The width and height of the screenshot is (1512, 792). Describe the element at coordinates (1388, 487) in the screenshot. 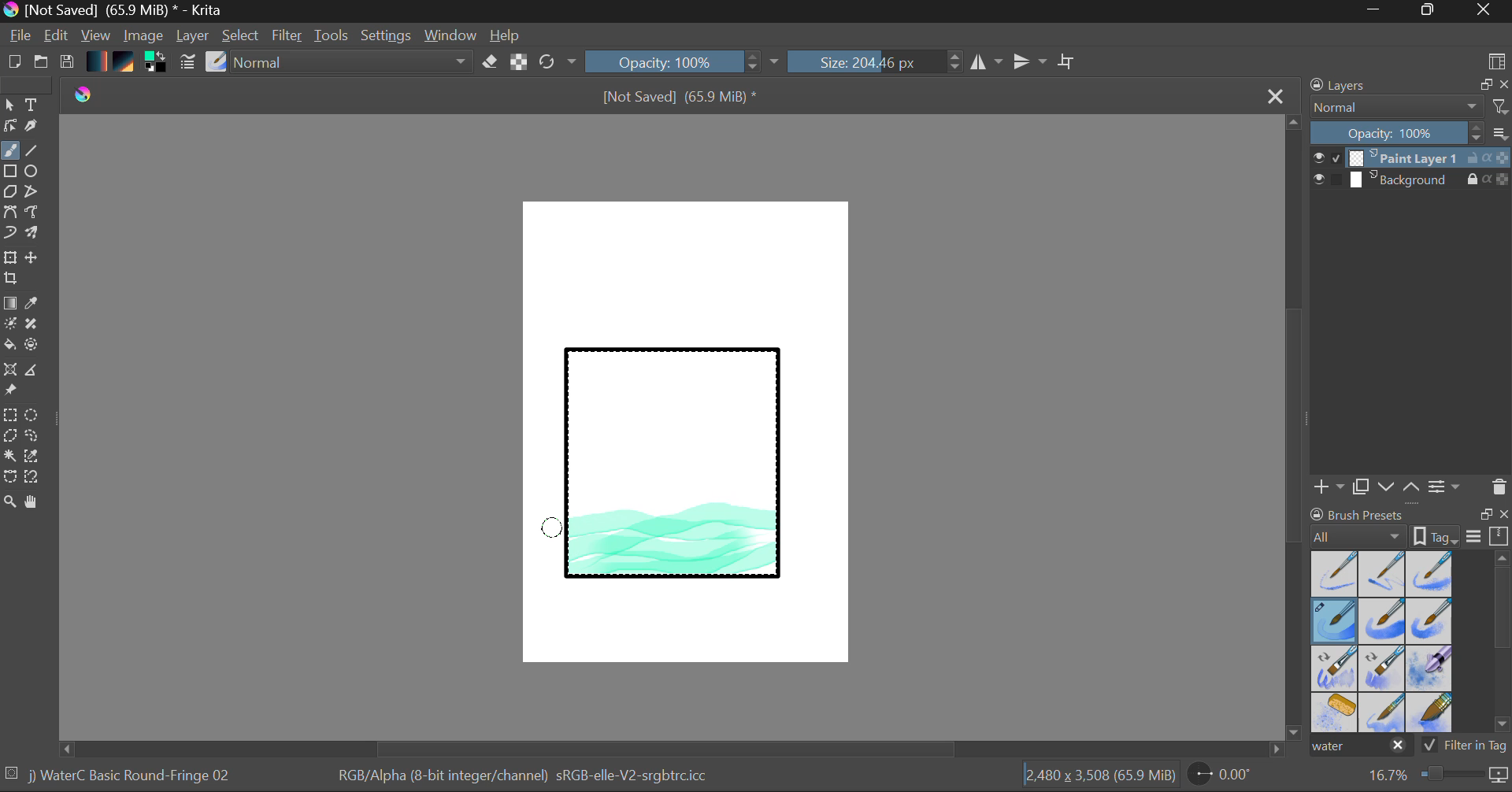

I see `Move Layer Down` at that location.